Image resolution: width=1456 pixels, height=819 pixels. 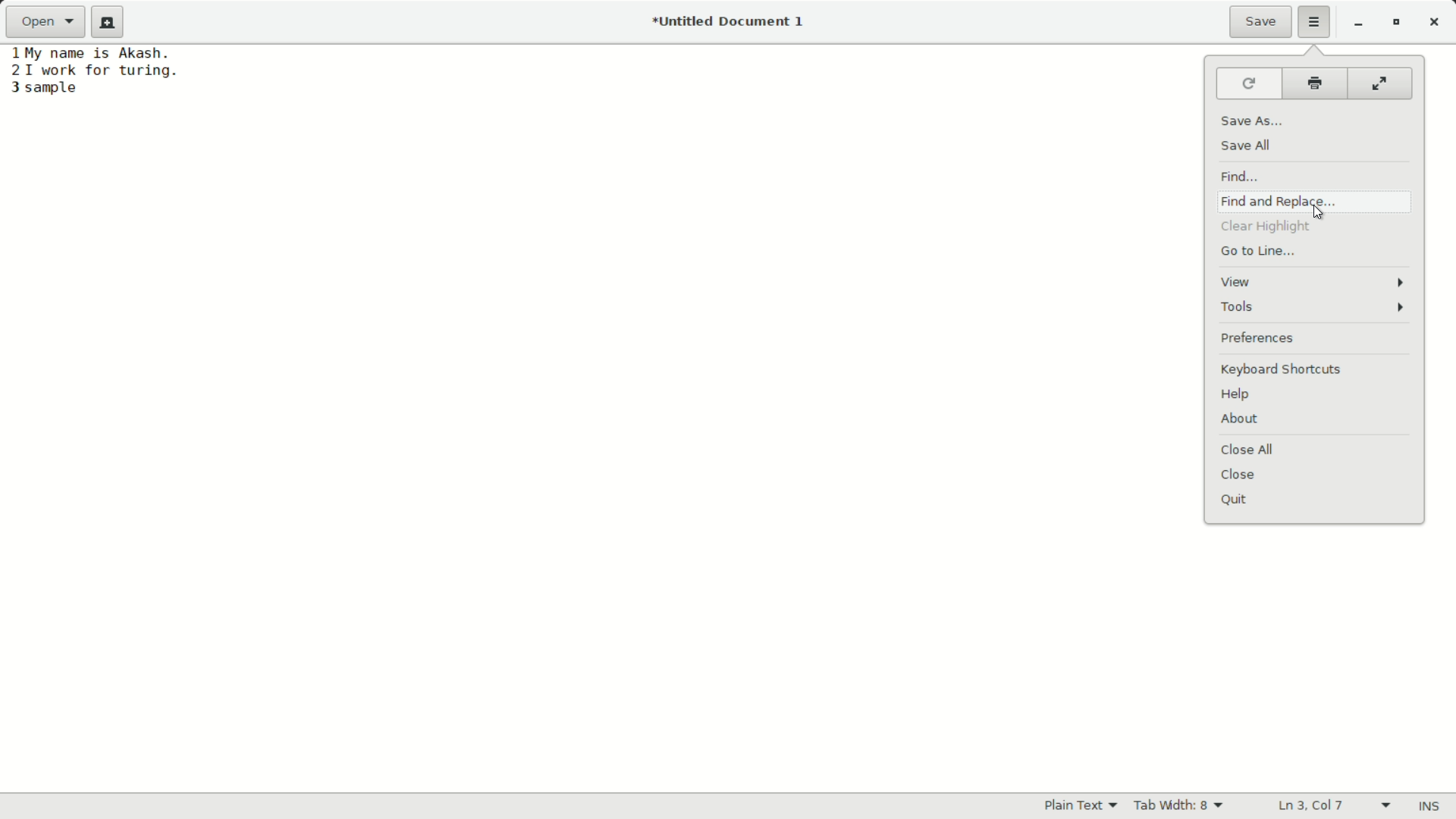 I want to click on INS, so click(x=1428, y=807).